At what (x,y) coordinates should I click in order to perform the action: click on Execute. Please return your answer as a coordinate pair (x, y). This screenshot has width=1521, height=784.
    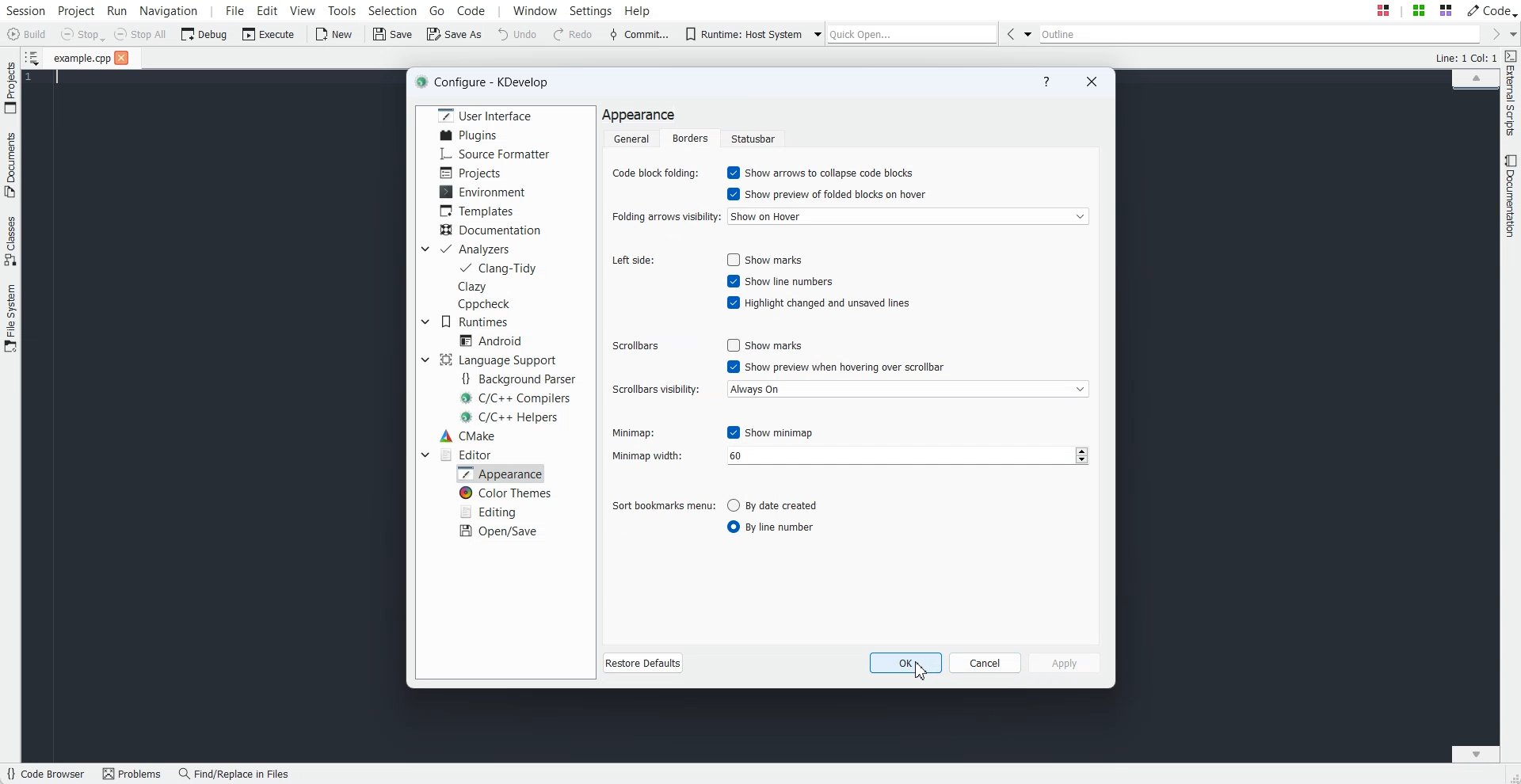
    Looking at the image, I should click on (269, 34).